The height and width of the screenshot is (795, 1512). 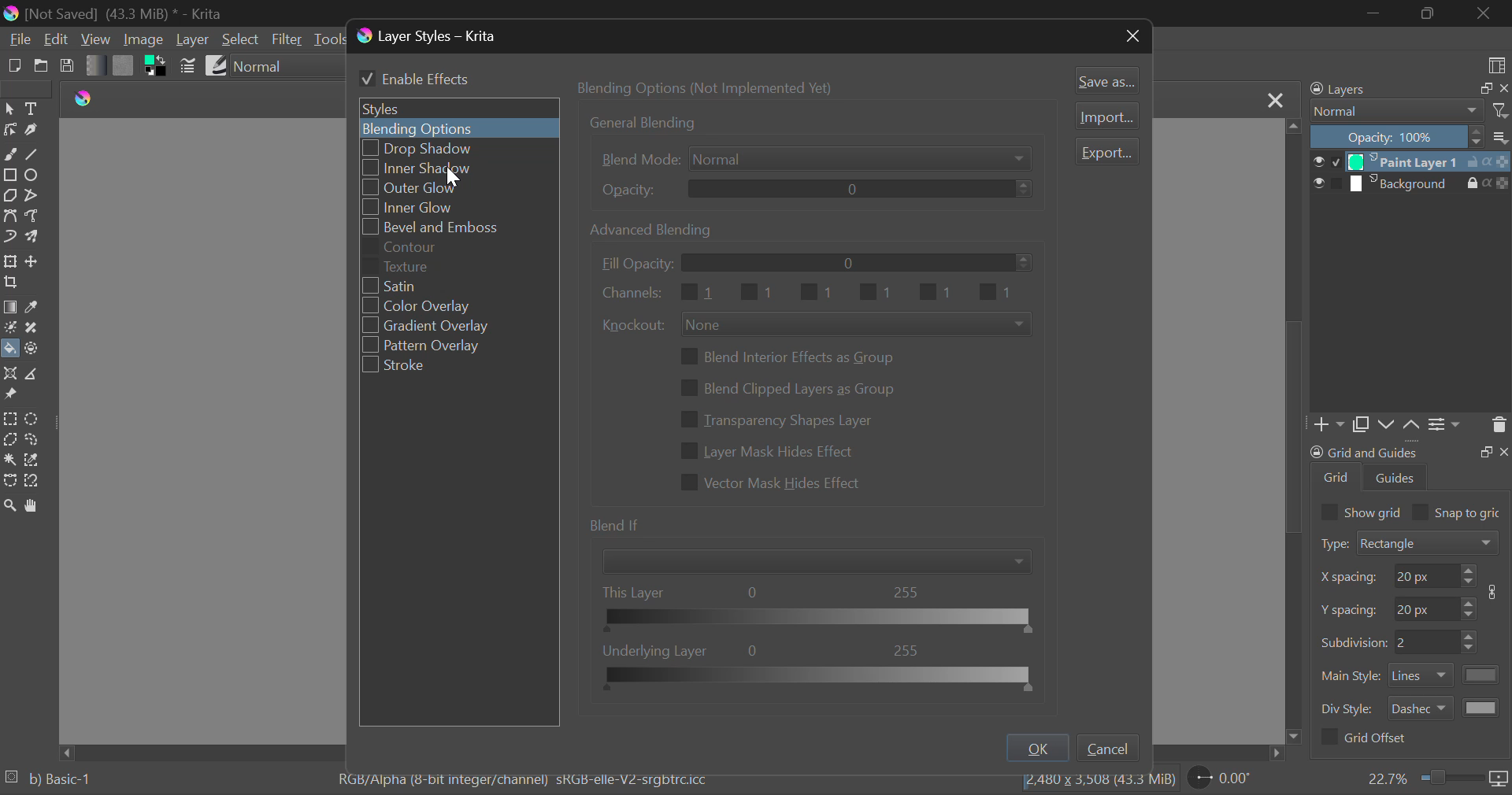 I want to click on Select, so click(x=241, y=39).